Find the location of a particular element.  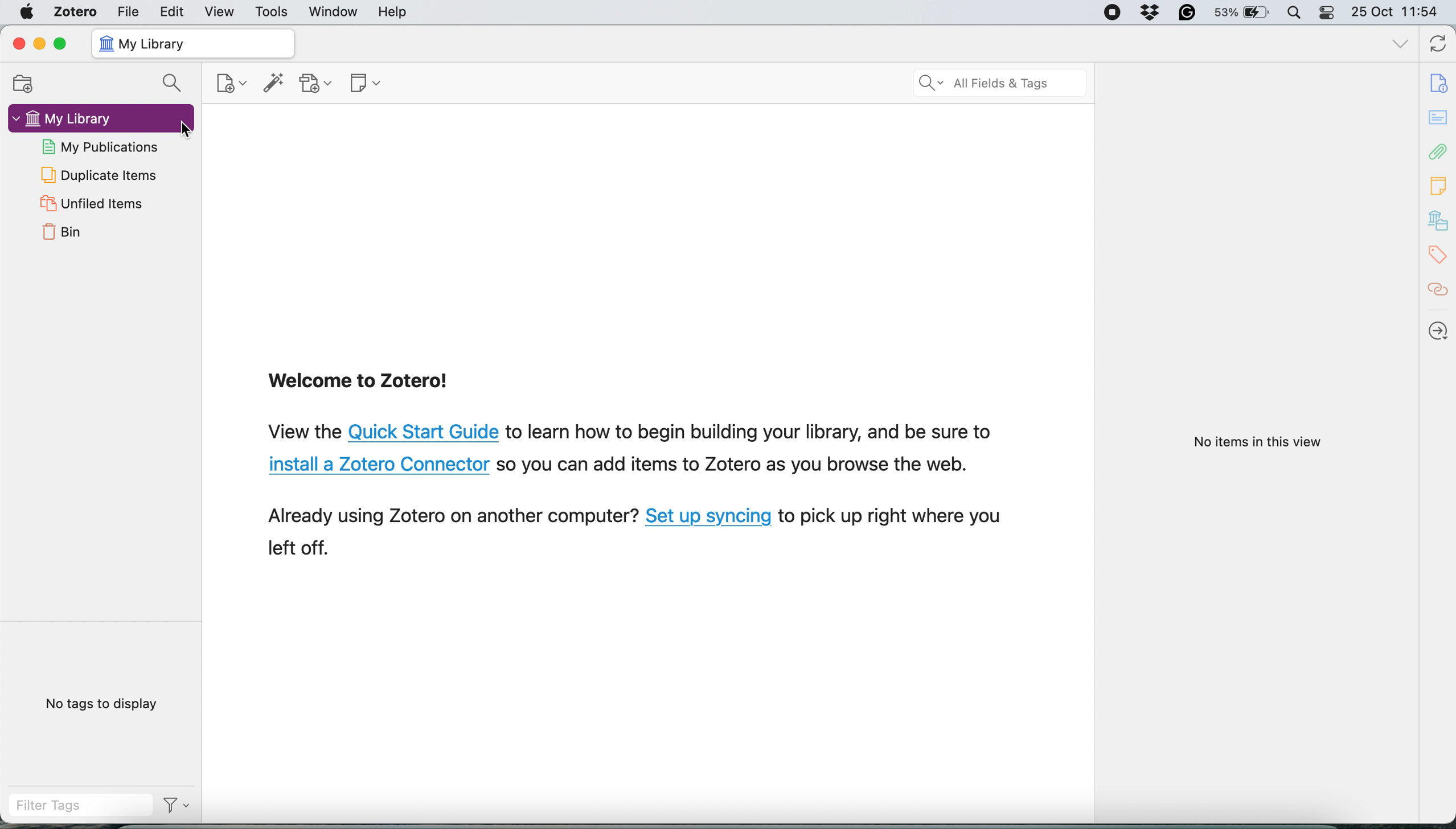

close is located at coordinates (18, 43).